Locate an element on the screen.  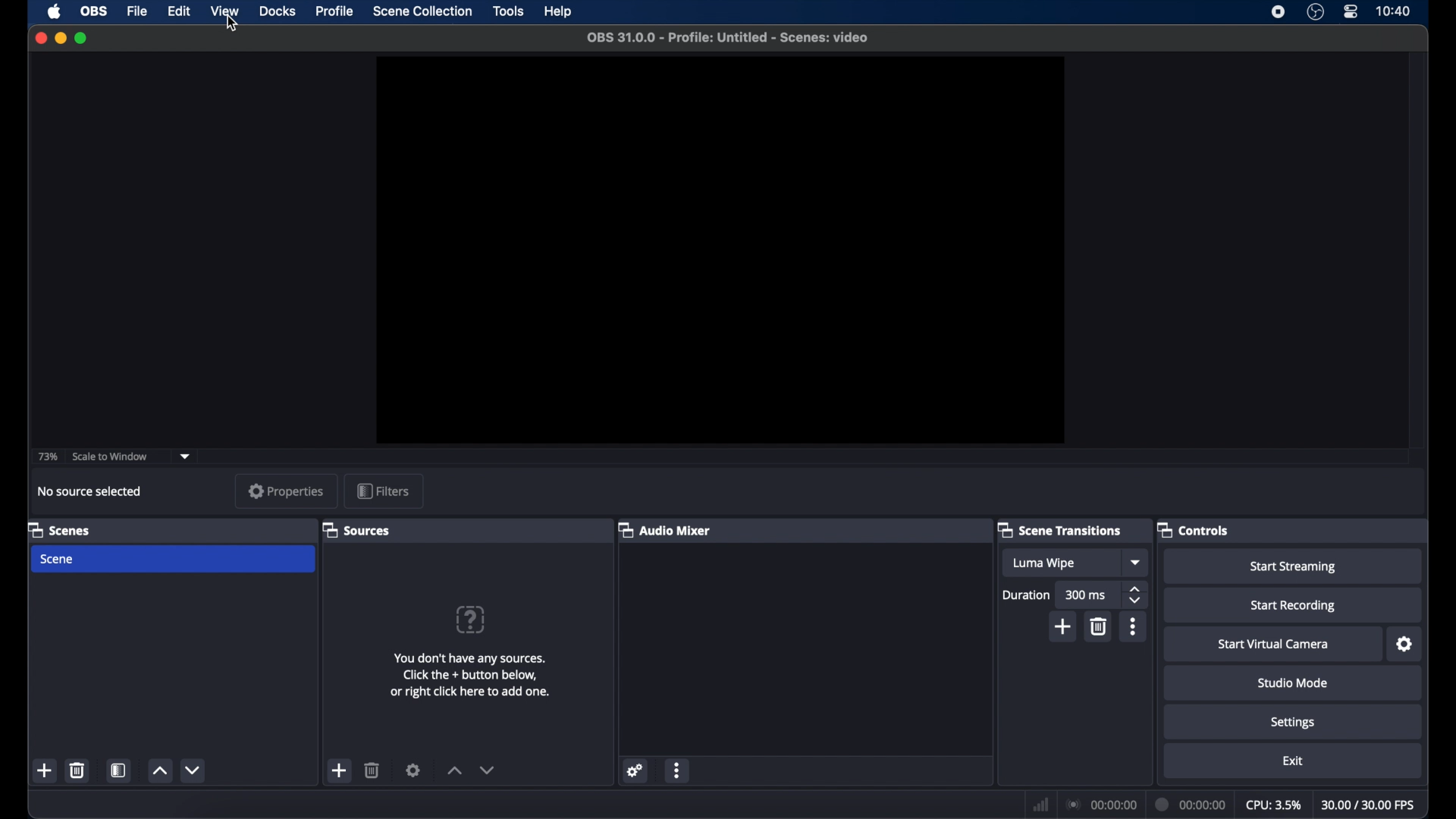
scene filters is located at coordinates (118, 770).